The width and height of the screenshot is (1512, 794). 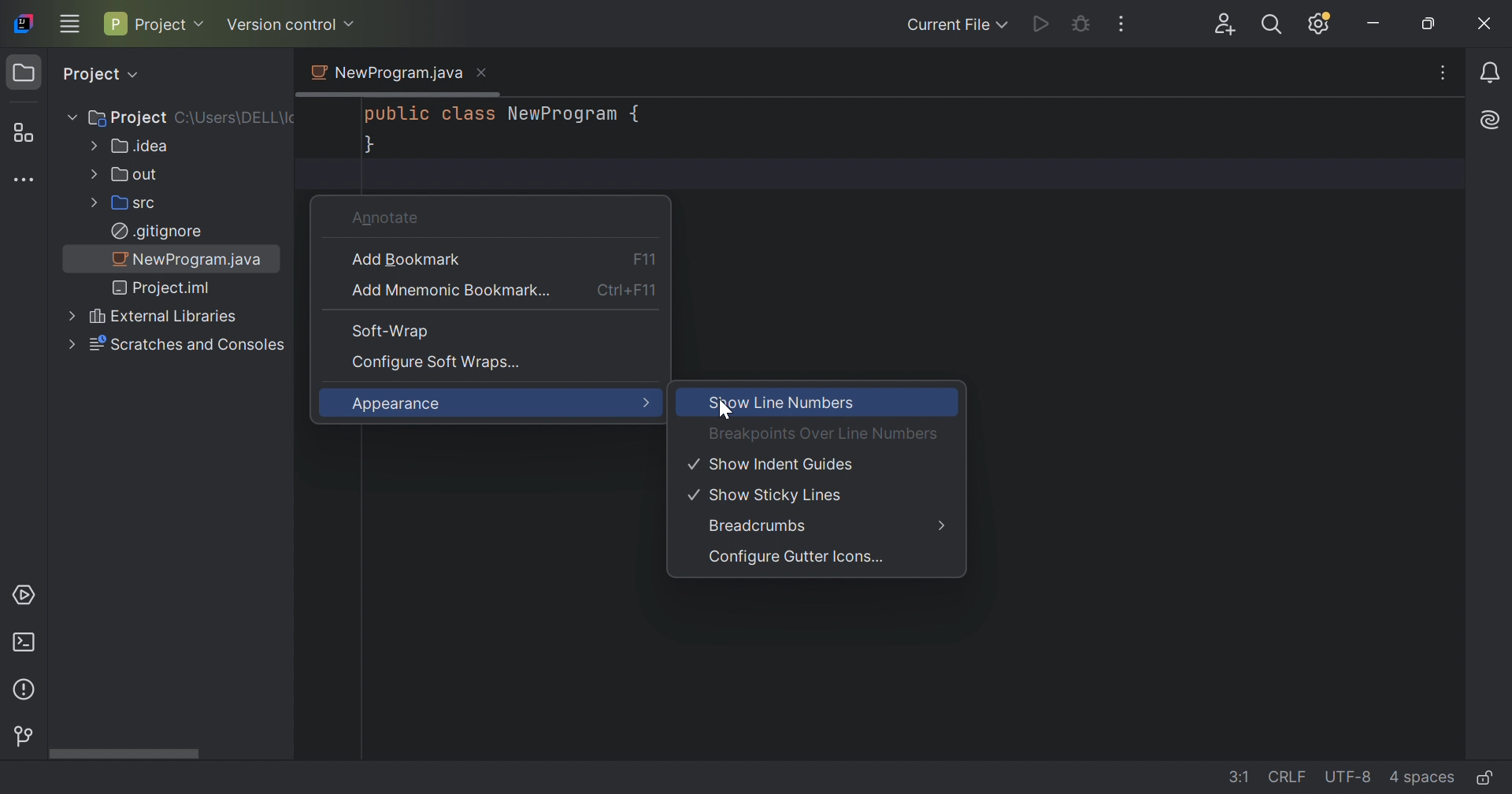 I want to click on }, so click(x=369, y=147).